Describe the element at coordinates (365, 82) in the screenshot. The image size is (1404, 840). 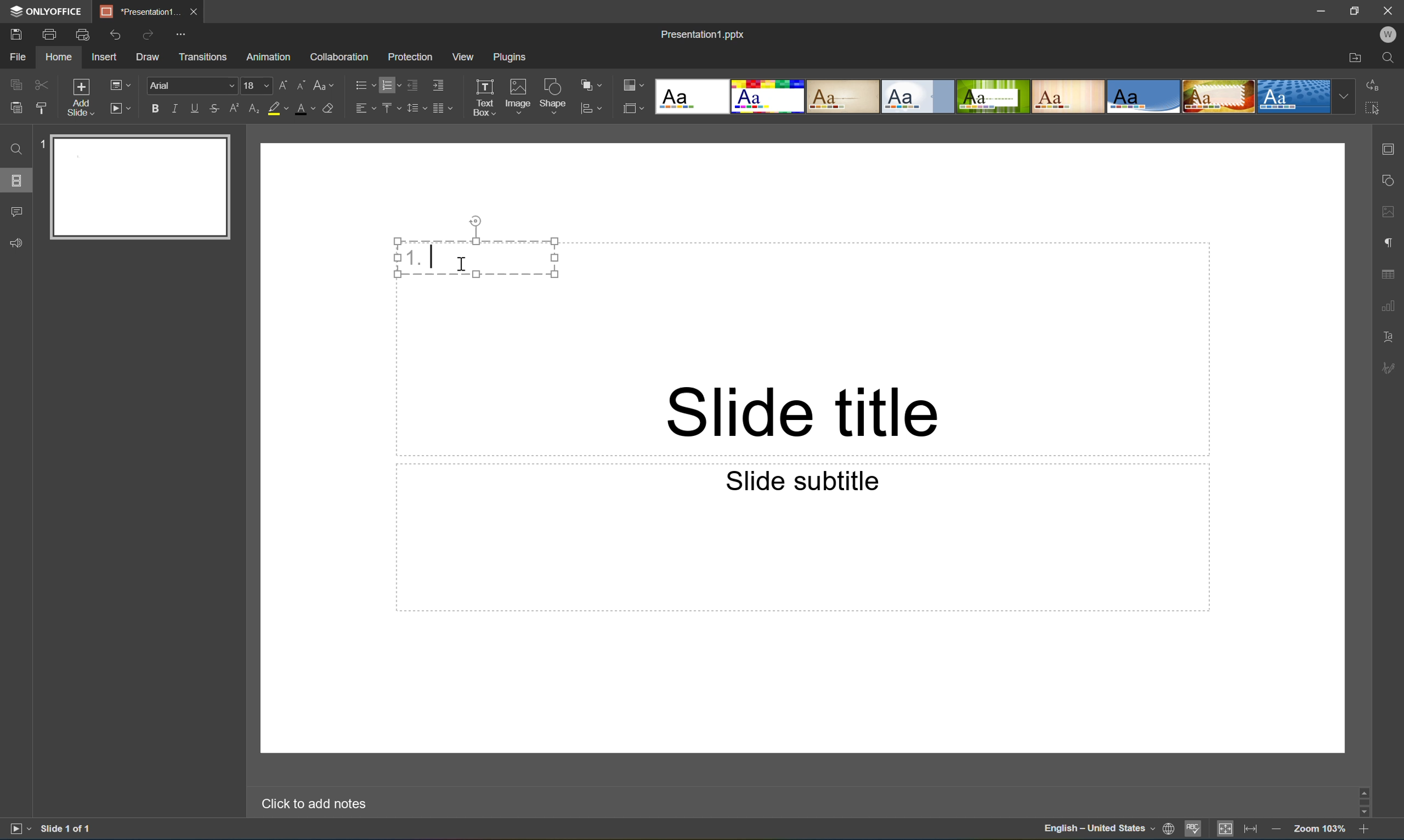
I see `Bullets` at that location.